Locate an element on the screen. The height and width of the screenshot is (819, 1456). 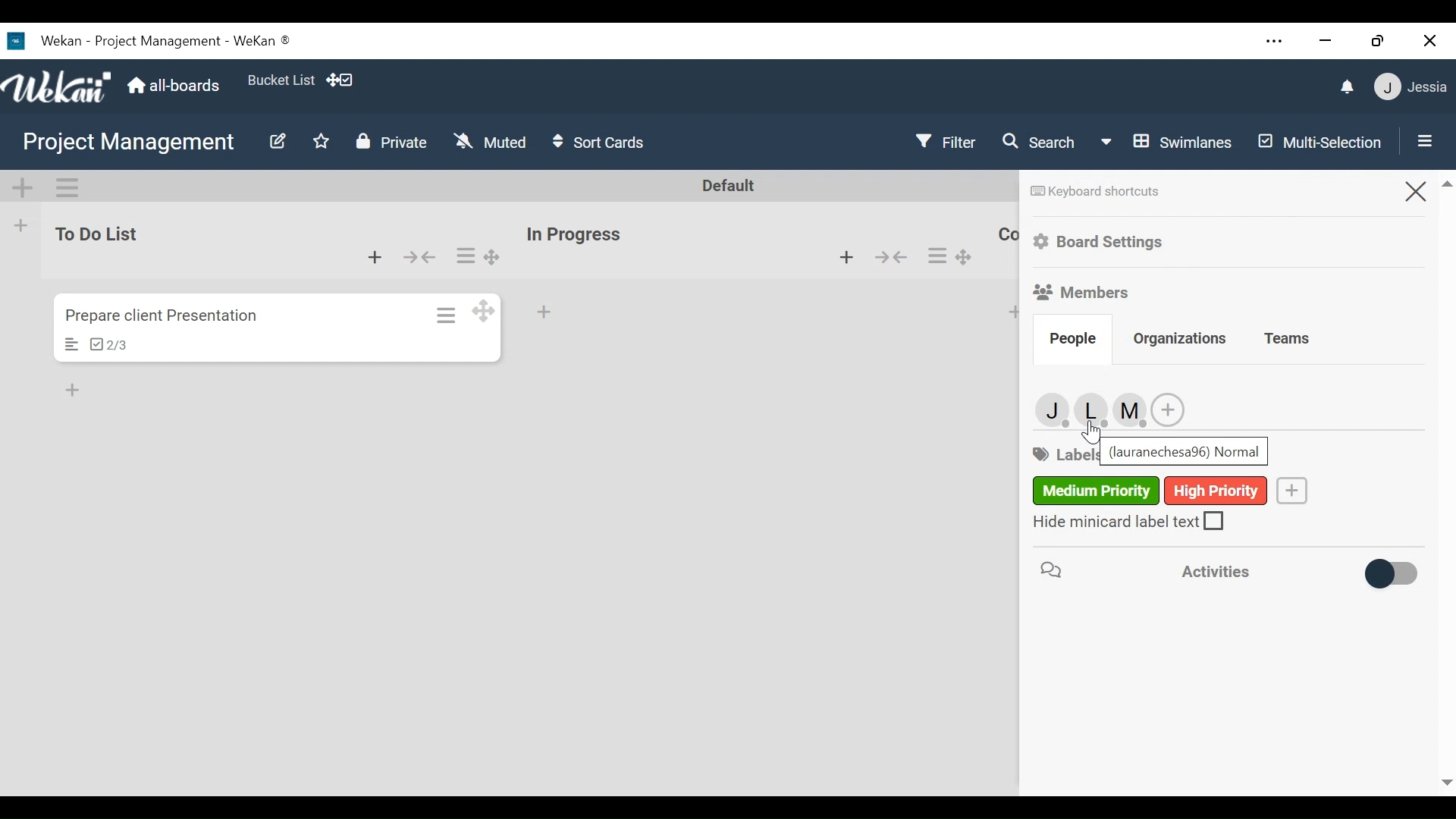
Card actions is located at coordinates (447, 315).